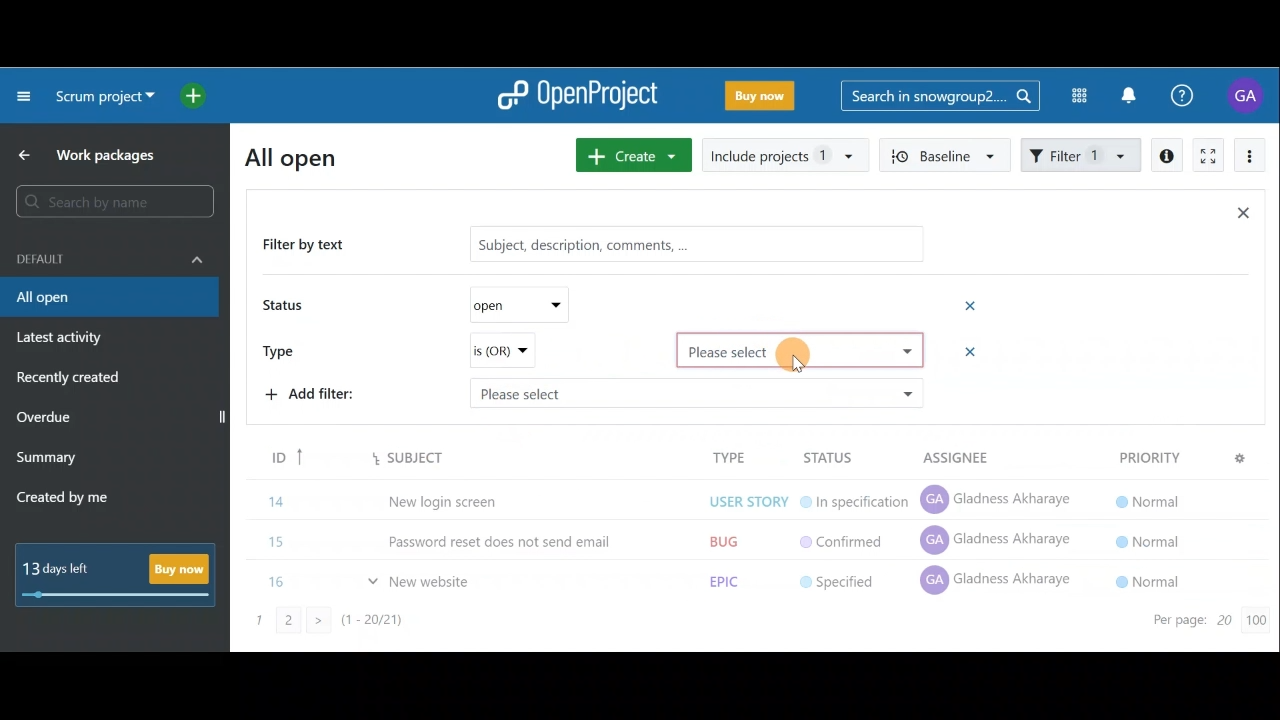  I want to click on Buy now, so click(122, 574).